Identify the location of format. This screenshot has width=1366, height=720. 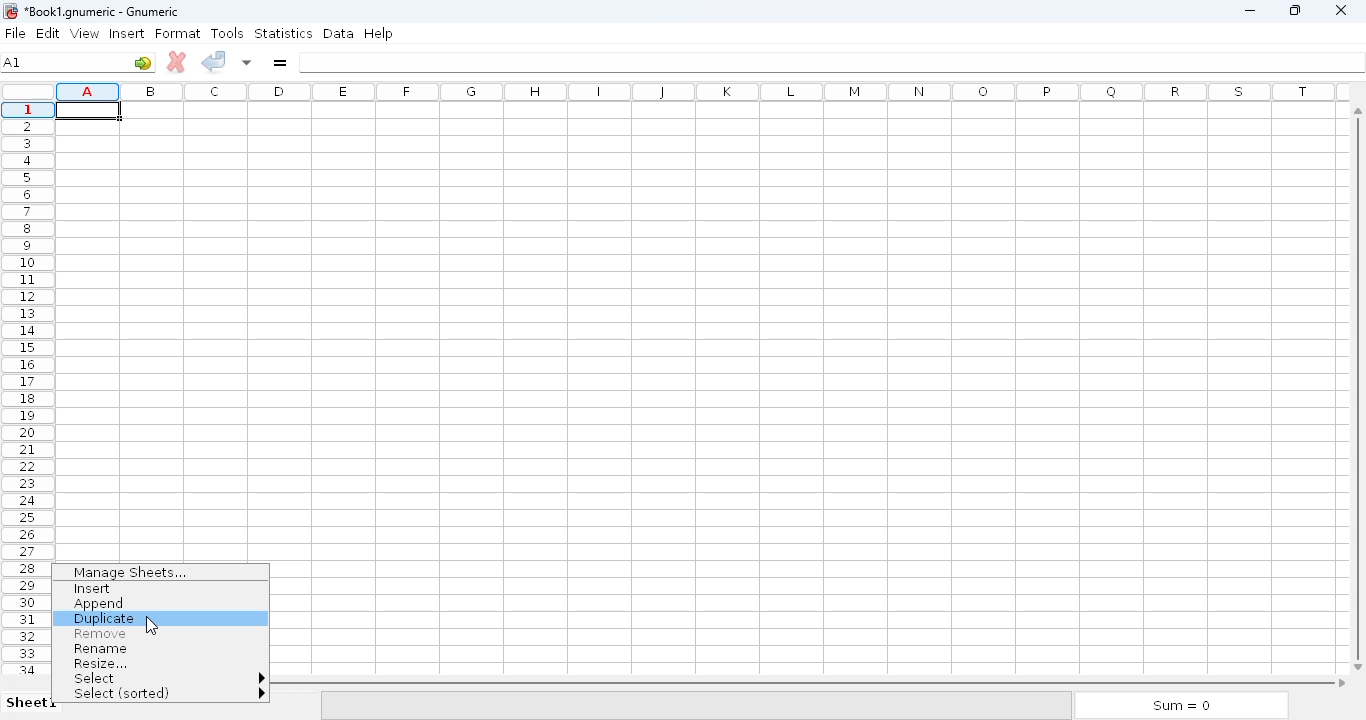
(178, 34).